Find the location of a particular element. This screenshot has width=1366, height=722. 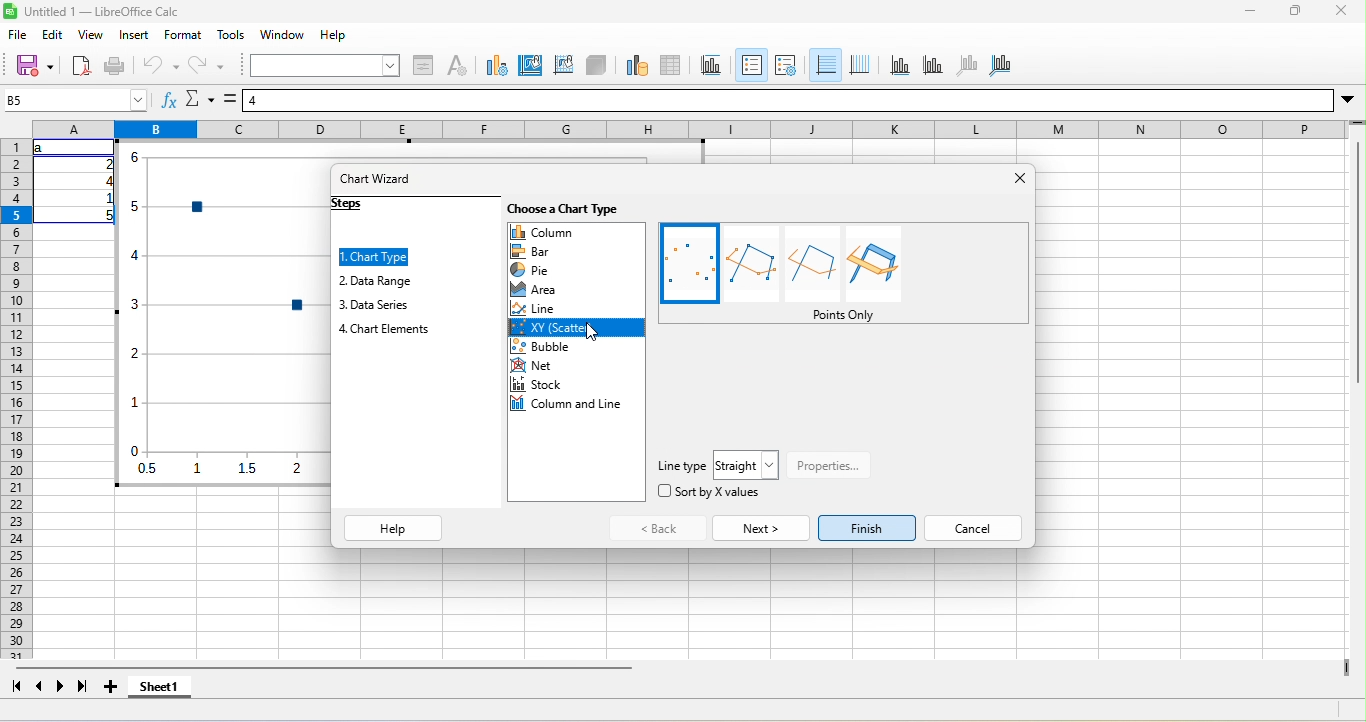

save is located at coordinates (34, 66).